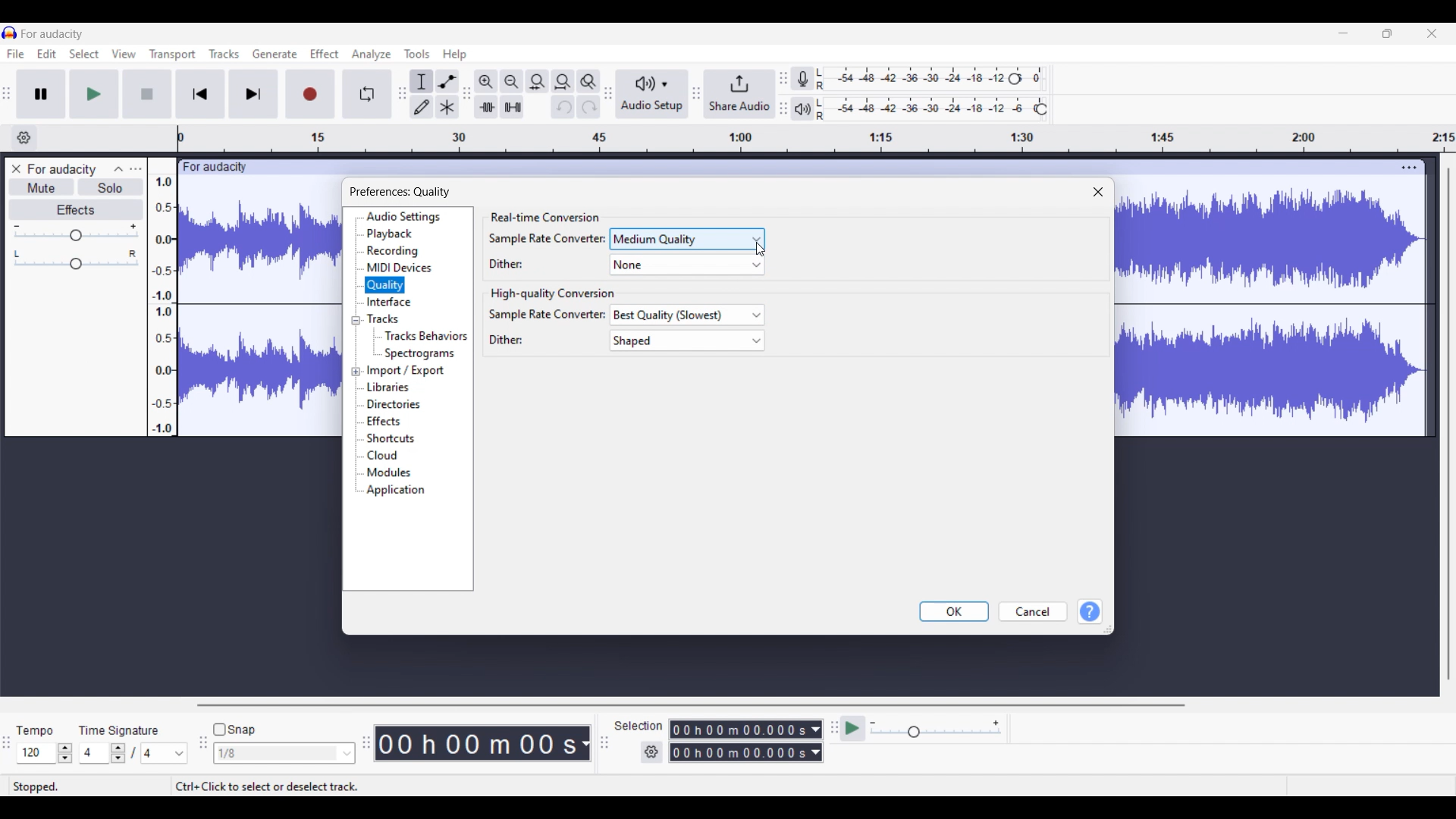  What do you see at coordinates (310, 94) in the screenshot?
I see `Record/Record new track` at bounding box center [310, 94].